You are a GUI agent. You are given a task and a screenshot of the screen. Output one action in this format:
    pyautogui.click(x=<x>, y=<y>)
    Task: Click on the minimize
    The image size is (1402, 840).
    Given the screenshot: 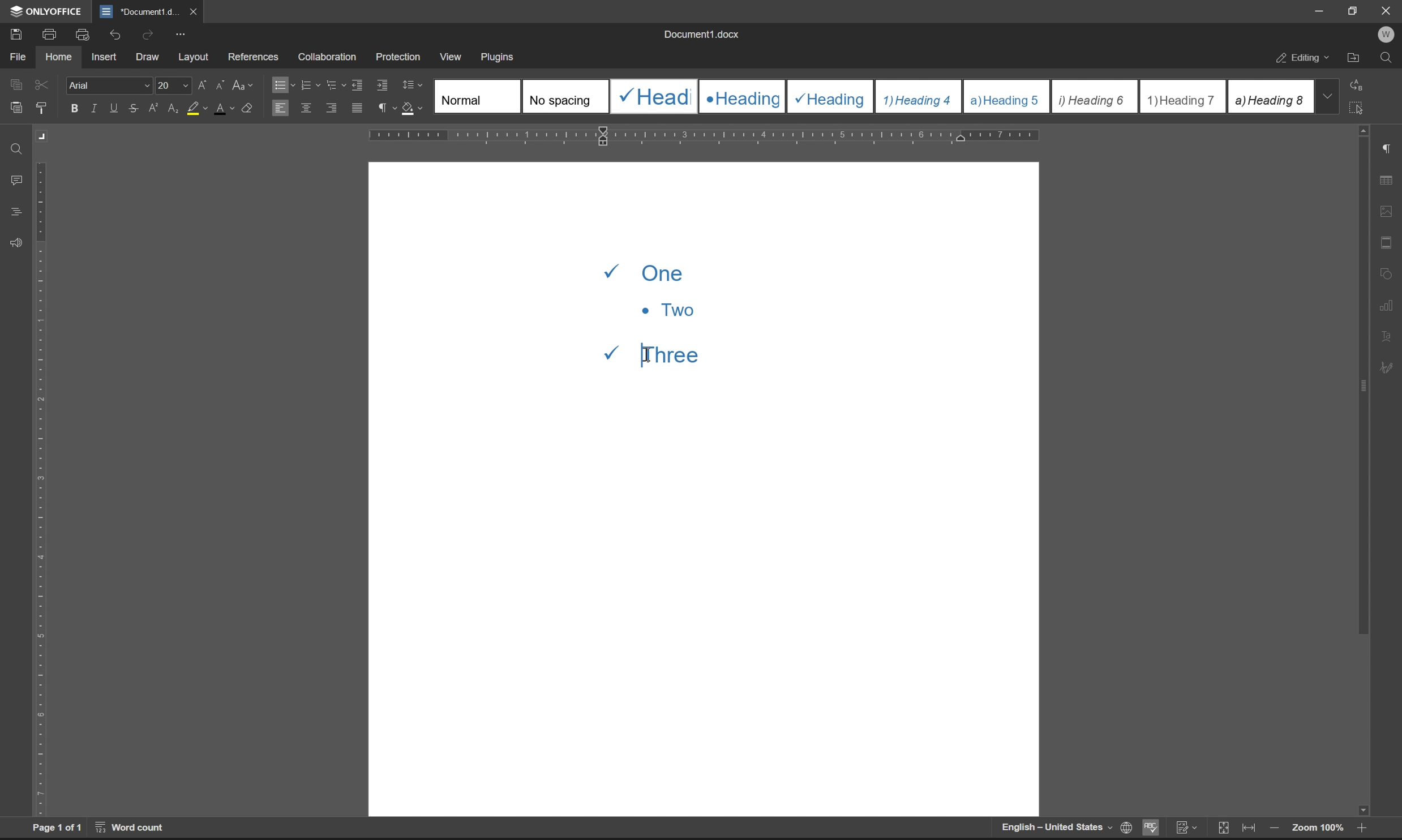 What is the action you would take?
    pyautogui.click(x=1320, y=11)
    